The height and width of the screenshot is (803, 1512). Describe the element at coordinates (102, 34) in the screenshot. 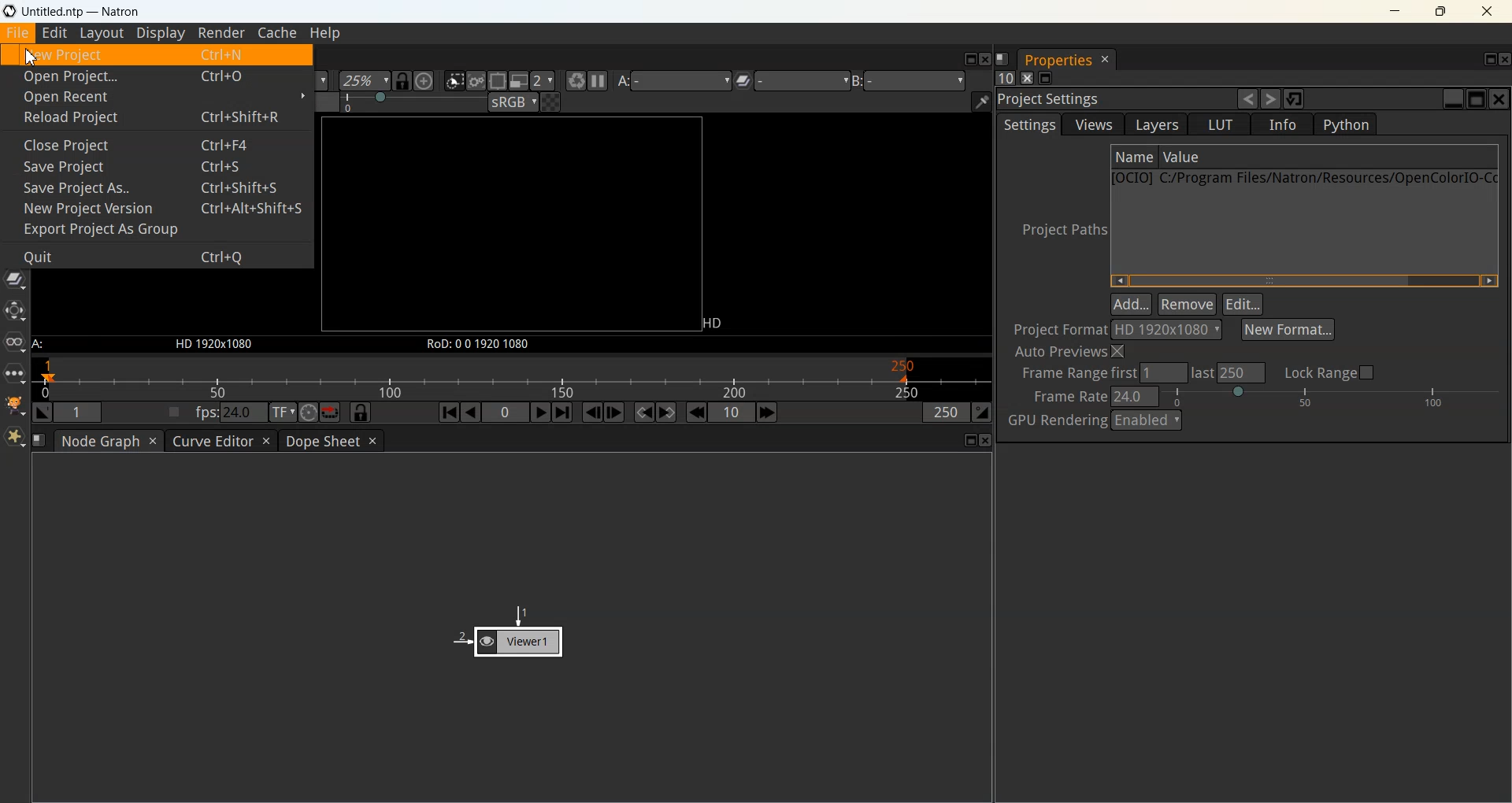

I see `Layout` at that location.